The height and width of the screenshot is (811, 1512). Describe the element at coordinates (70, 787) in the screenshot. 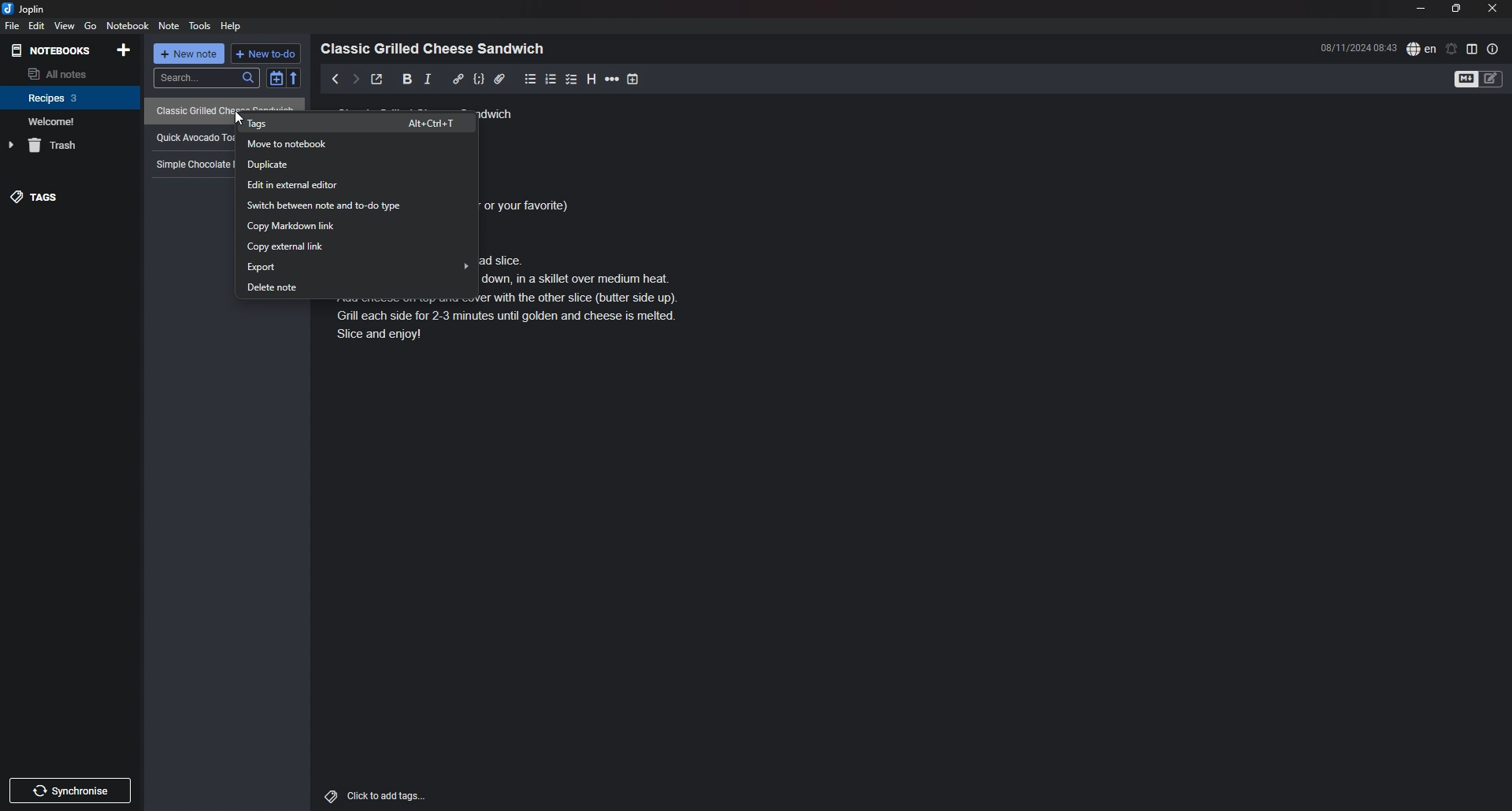

I see `` at that location.